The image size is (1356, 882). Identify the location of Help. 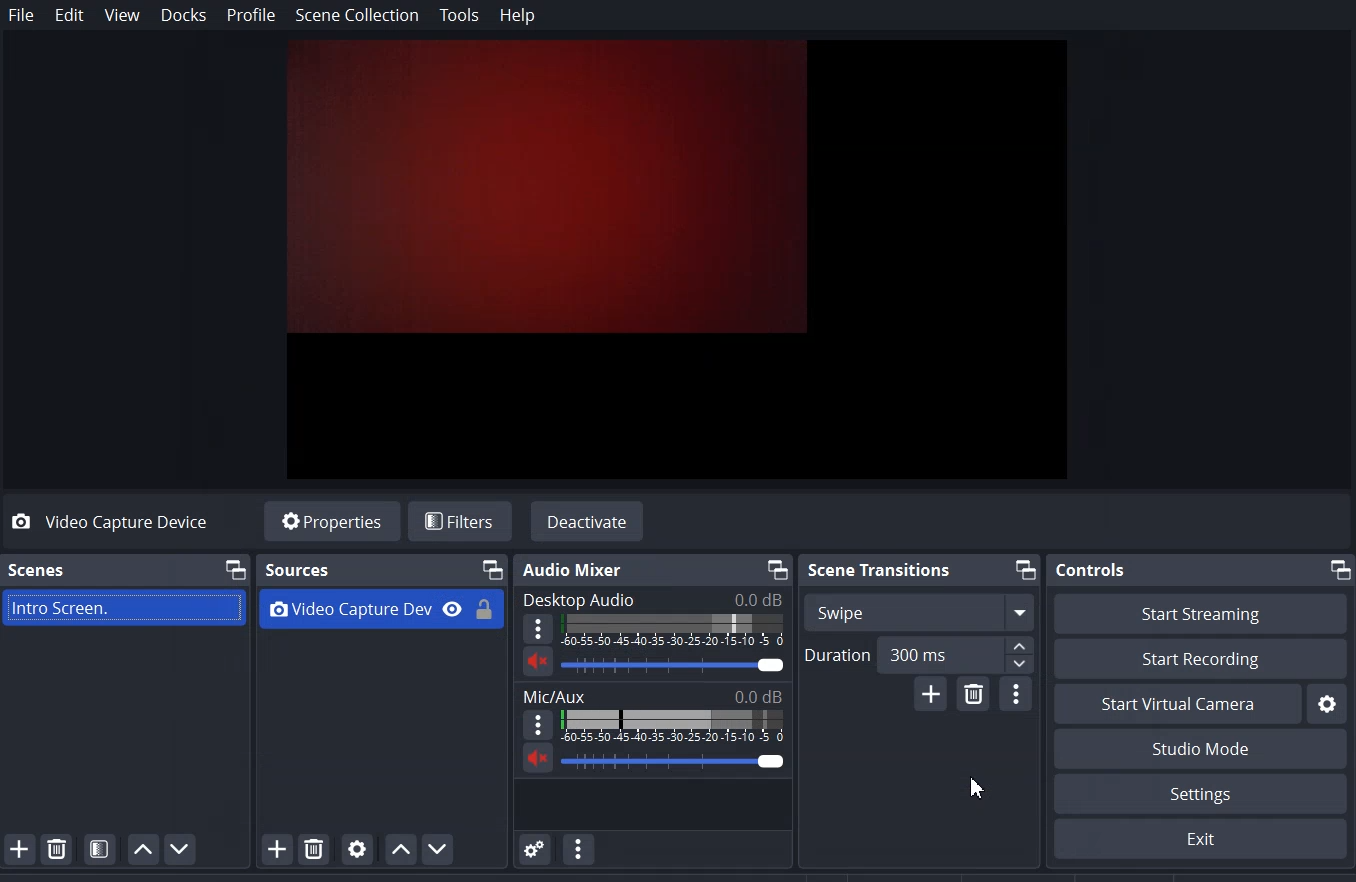
(516, 16).